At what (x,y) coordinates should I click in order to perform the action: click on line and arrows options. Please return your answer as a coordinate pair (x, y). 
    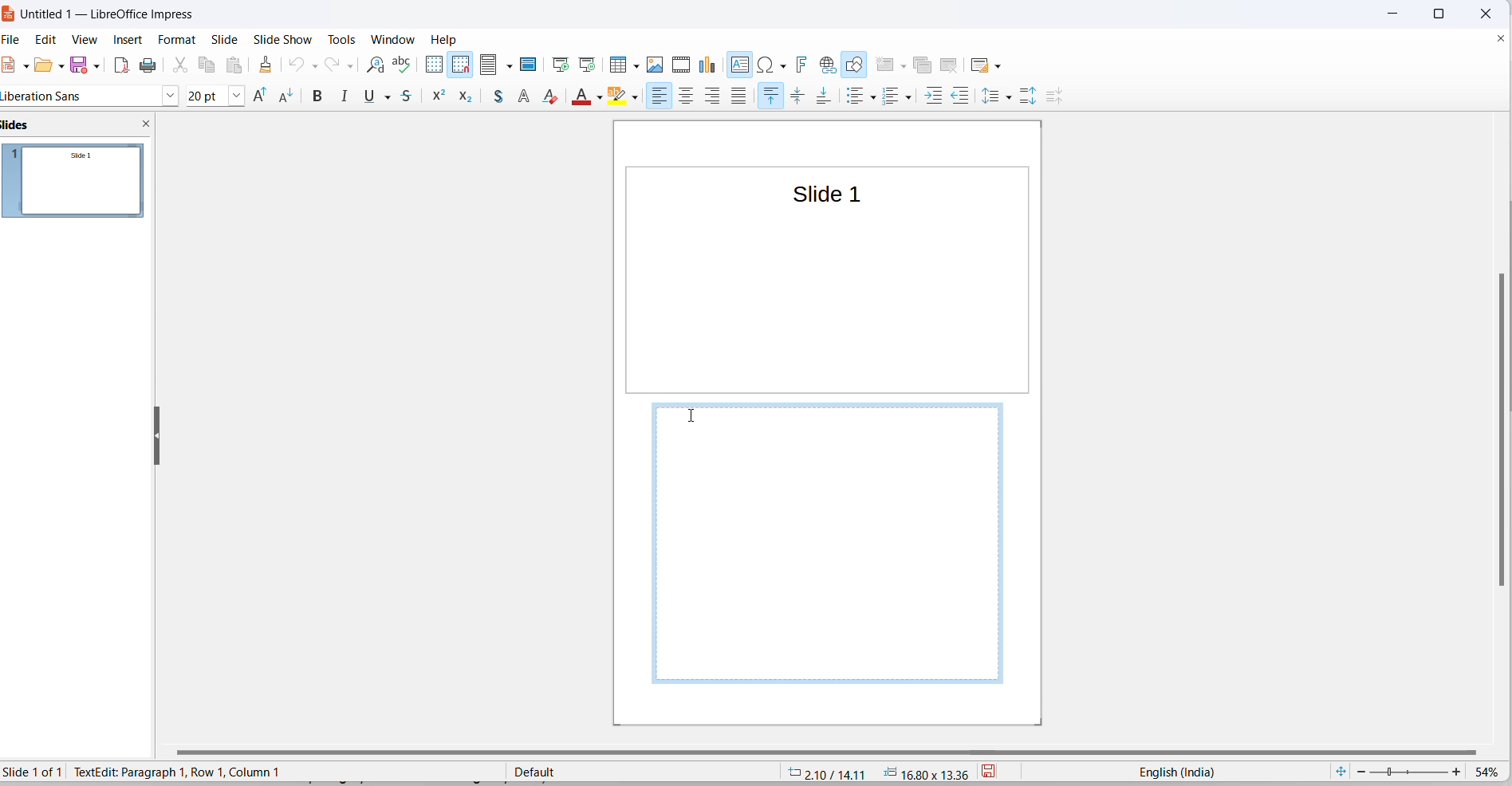
    Looking at the image, I should click on (249, 98).